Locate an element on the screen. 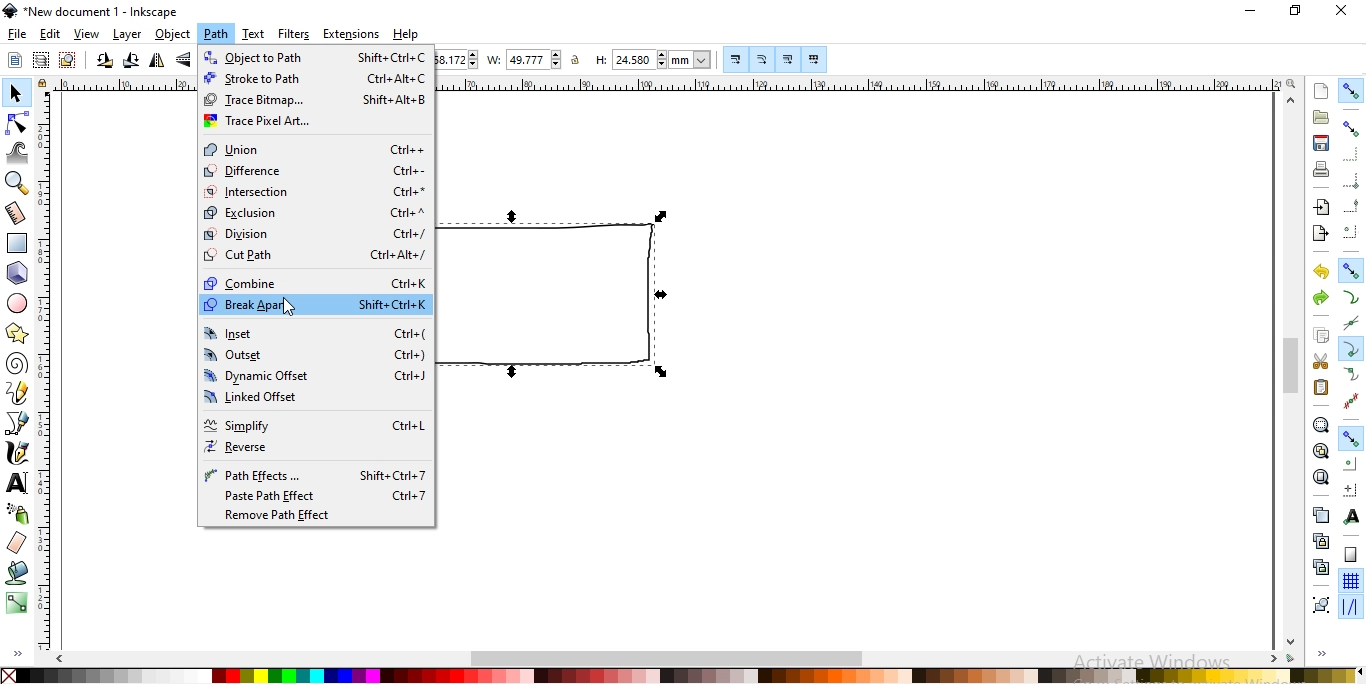 The image size is (1366, 684). view is located at coordinates (86, 35).